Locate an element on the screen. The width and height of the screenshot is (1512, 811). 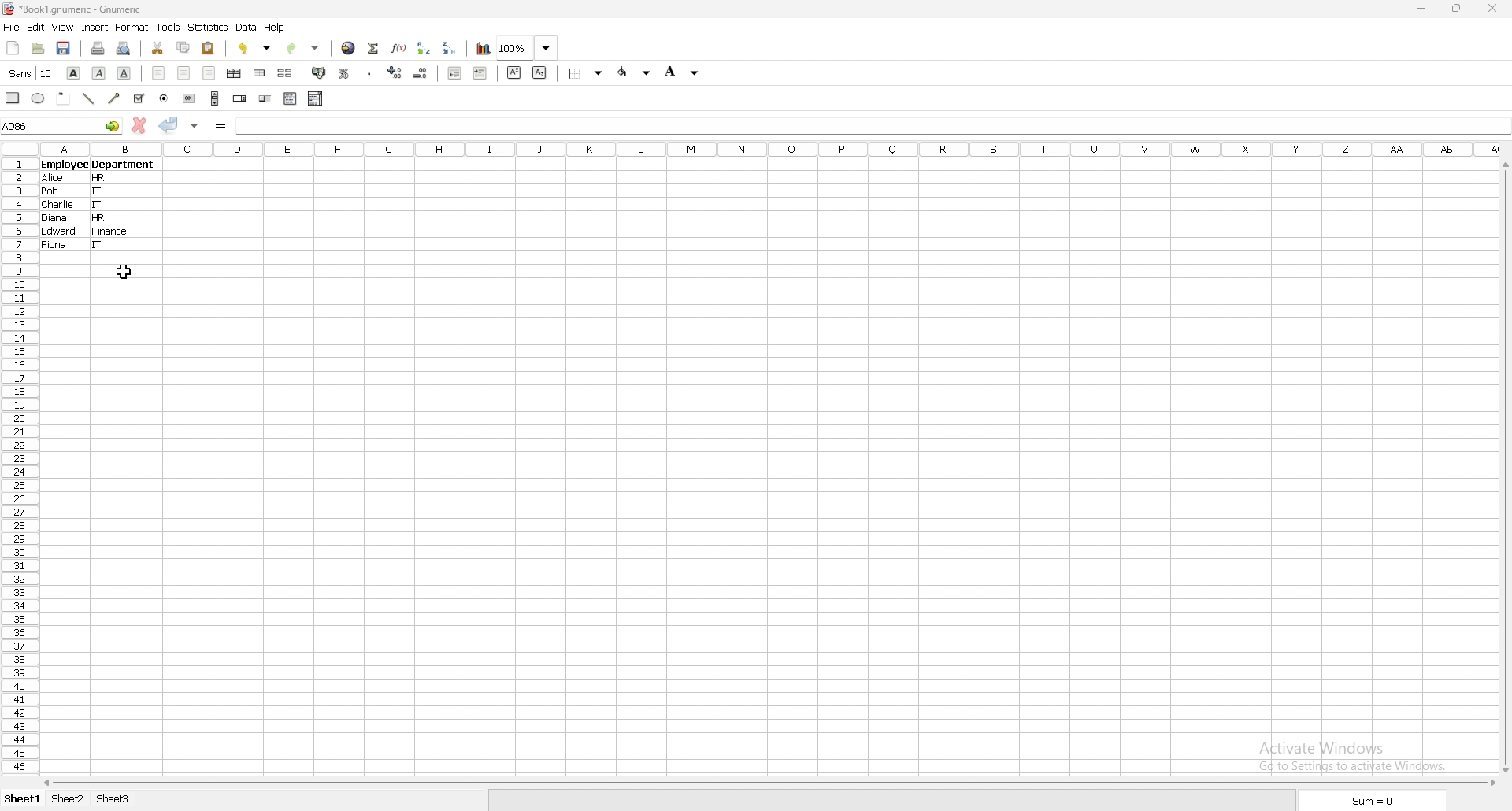
help is located at coordinates (276, 27).